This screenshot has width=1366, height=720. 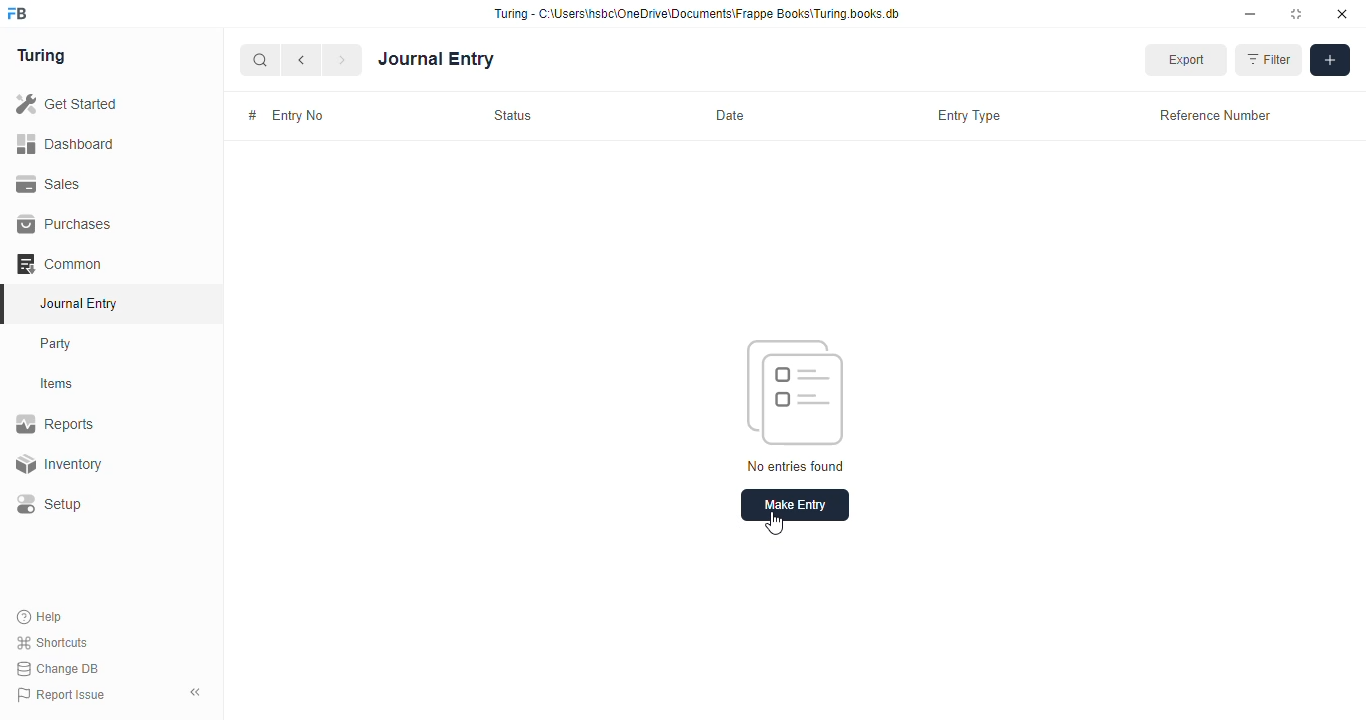 I want to click on get started, so click(x=68, y=104).